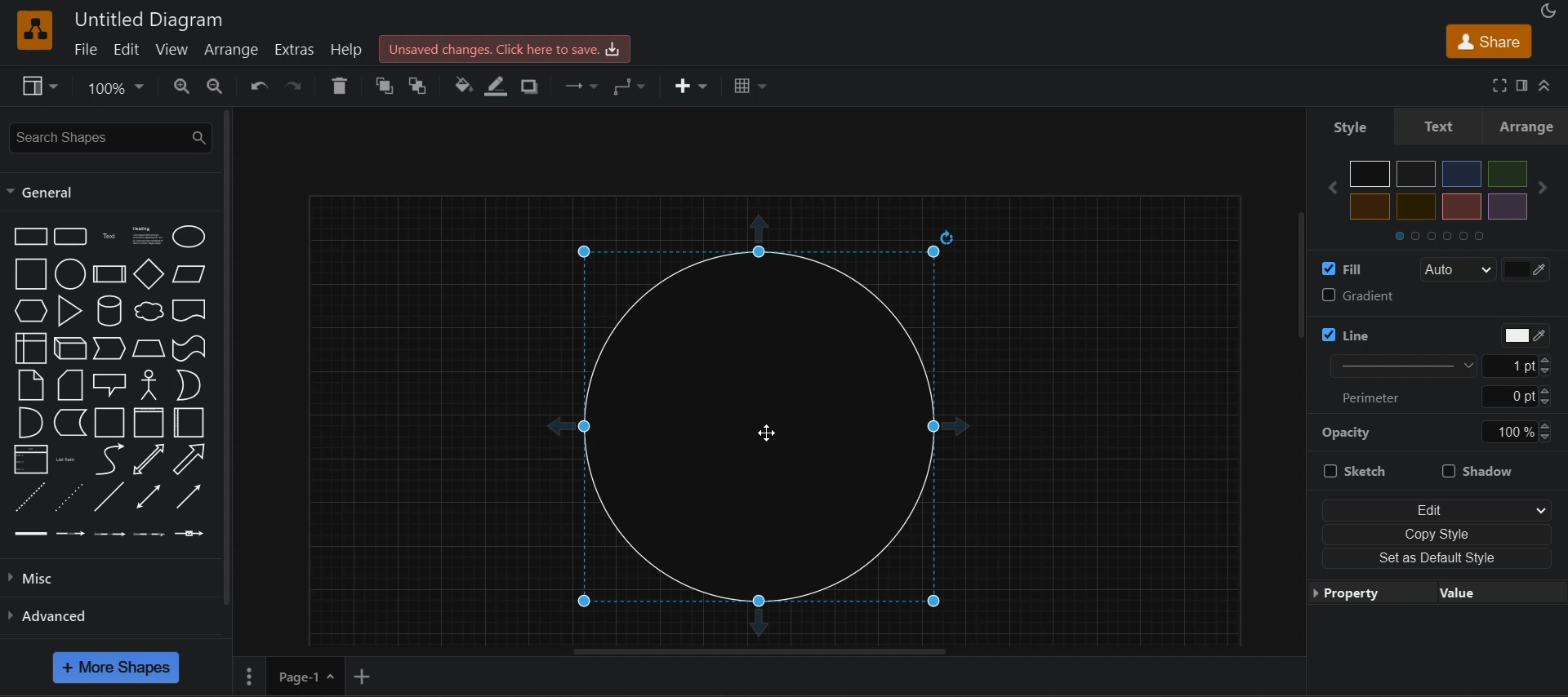 This screenshot has width=1568, height=697. I want to click on linecolor, so click(498, 87).